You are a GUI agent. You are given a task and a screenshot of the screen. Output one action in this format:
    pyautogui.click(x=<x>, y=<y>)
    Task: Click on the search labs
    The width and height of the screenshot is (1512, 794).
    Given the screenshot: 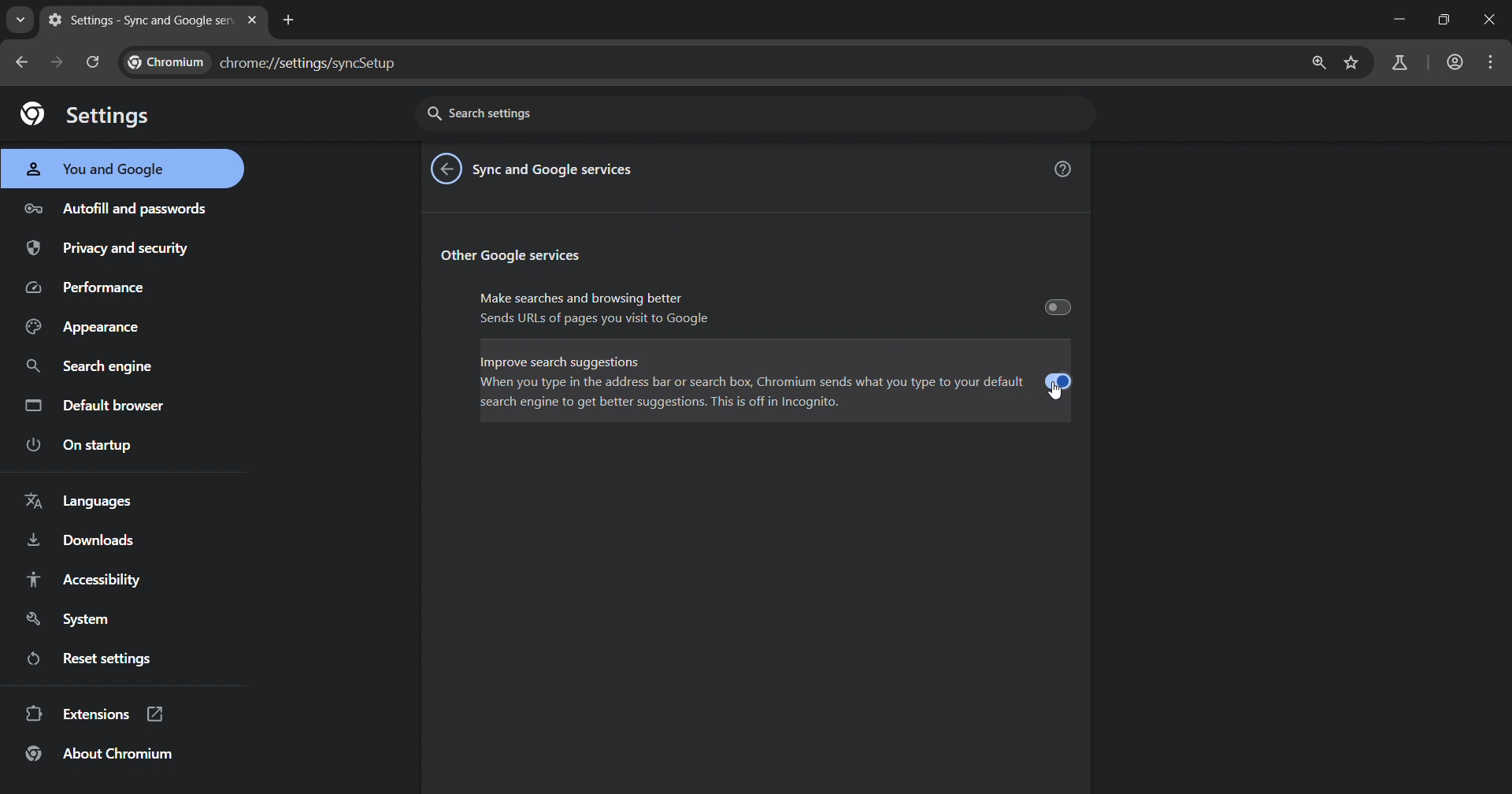 What is the action you would take?
    pyautogui.click(x=1397, y=61)
    